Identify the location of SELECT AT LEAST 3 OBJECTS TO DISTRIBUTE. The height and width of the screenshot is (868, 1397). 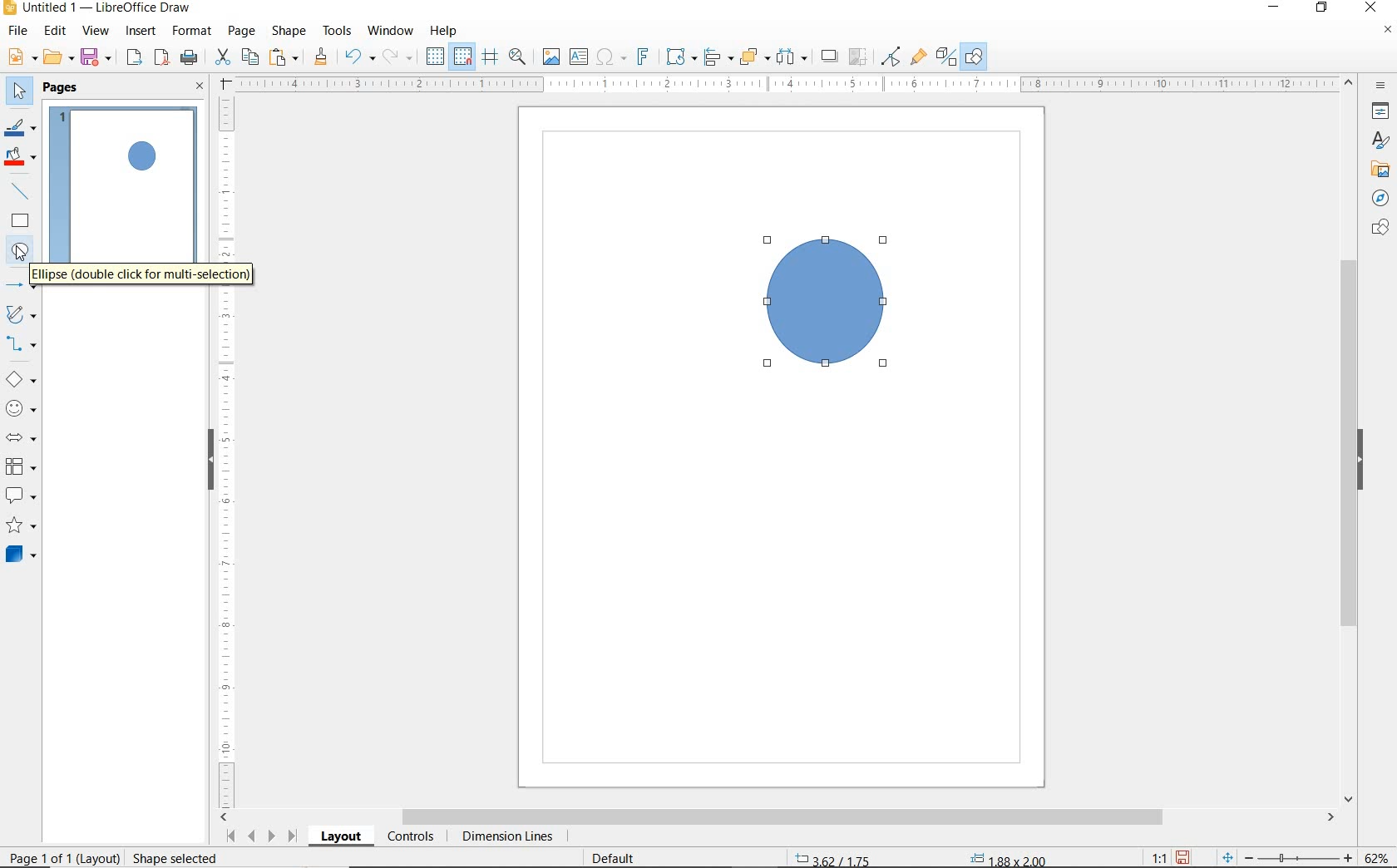
(792, 56).